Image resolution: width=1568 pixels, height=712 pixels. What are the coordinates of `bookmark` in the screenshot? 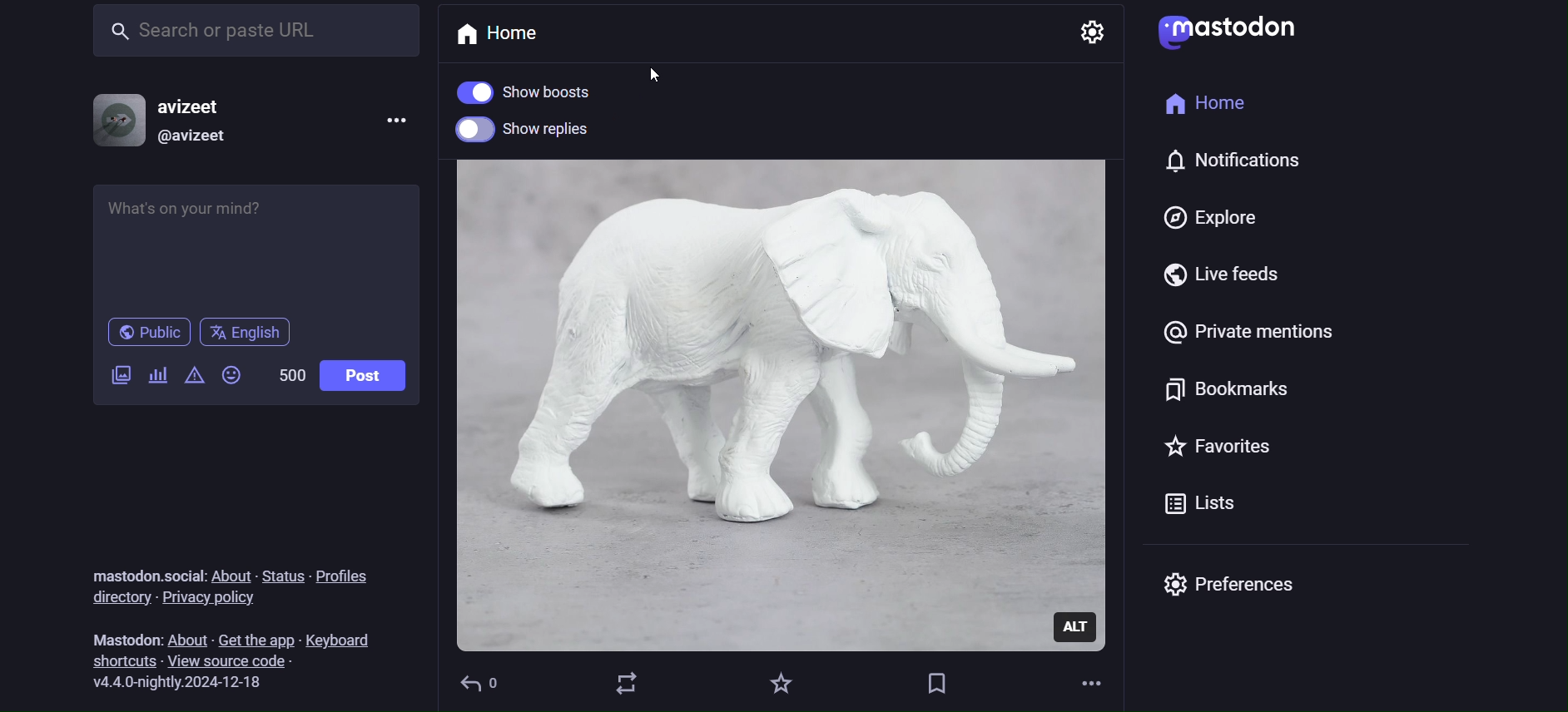 It's located at (937, 681).